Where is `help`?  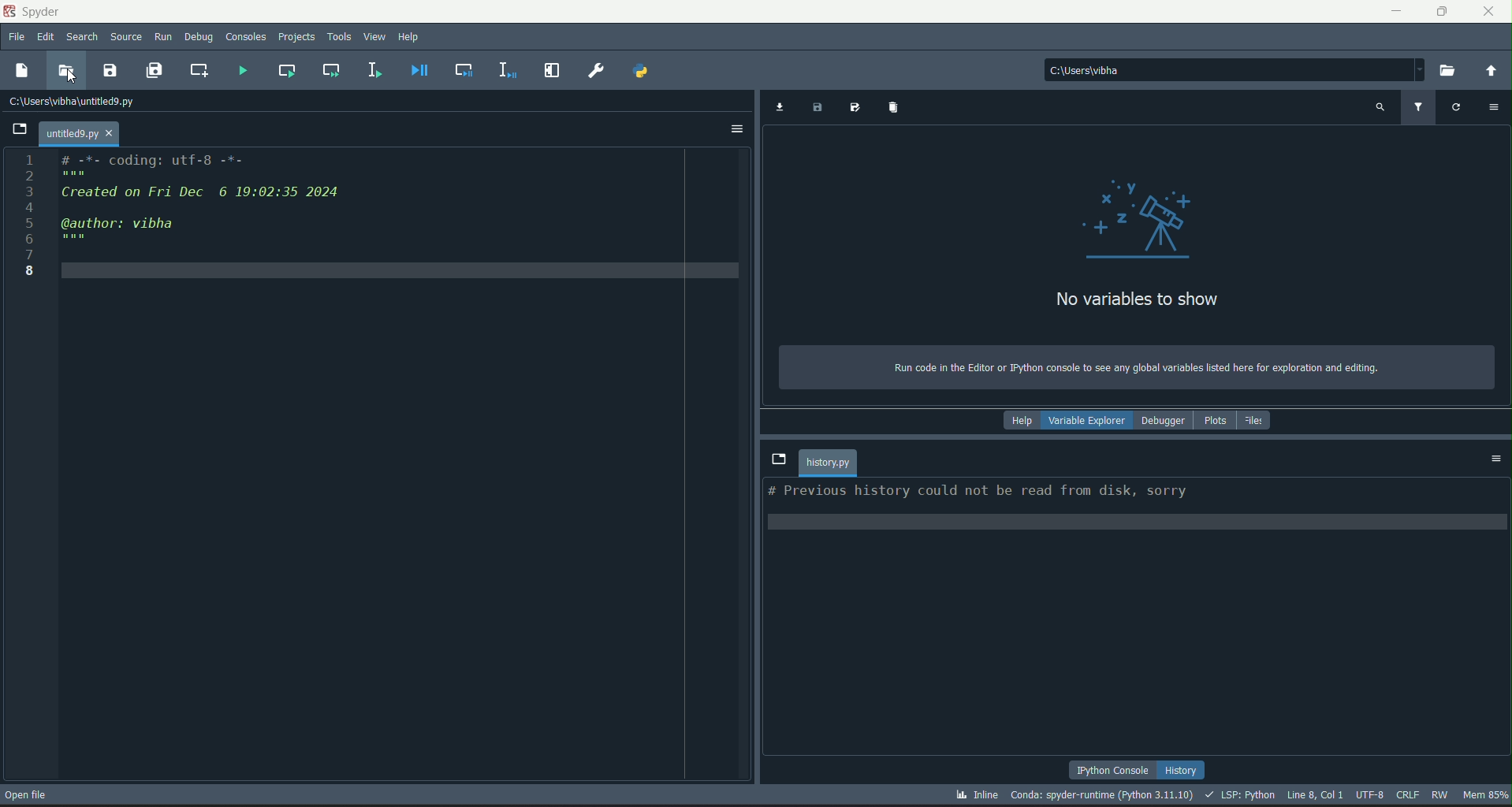
help is located at coordinates (1019, 421).